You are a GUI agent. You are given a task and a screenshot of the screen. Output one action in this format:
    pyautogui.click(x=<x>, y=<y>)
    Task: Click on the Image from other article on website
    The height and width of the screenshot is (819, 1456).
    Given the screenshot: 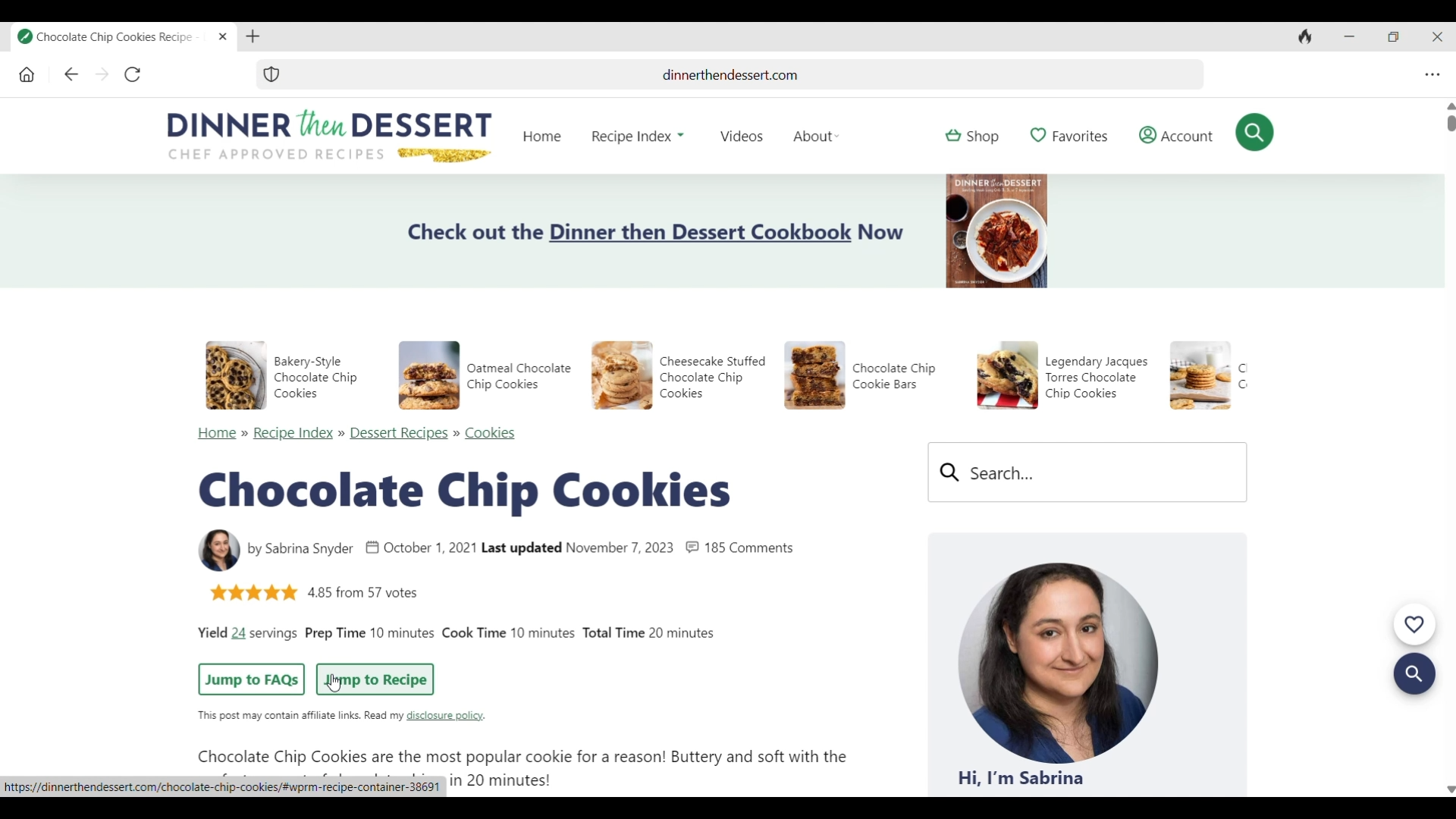 What is the action you would take?
    pyautogui.click(x=622, y=376)
    